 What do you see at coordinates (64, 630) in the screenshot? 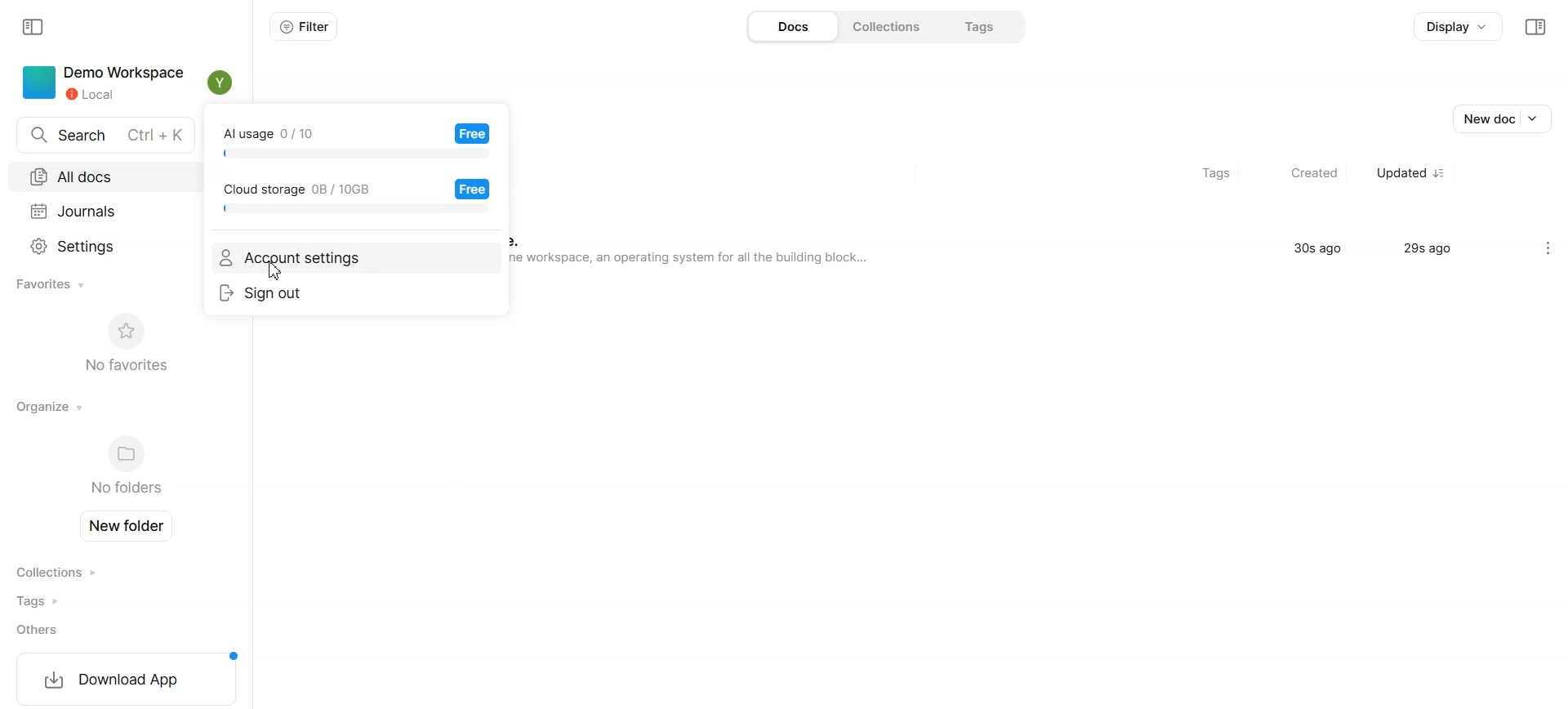
I see `Others` at bounding box center [64, 630].